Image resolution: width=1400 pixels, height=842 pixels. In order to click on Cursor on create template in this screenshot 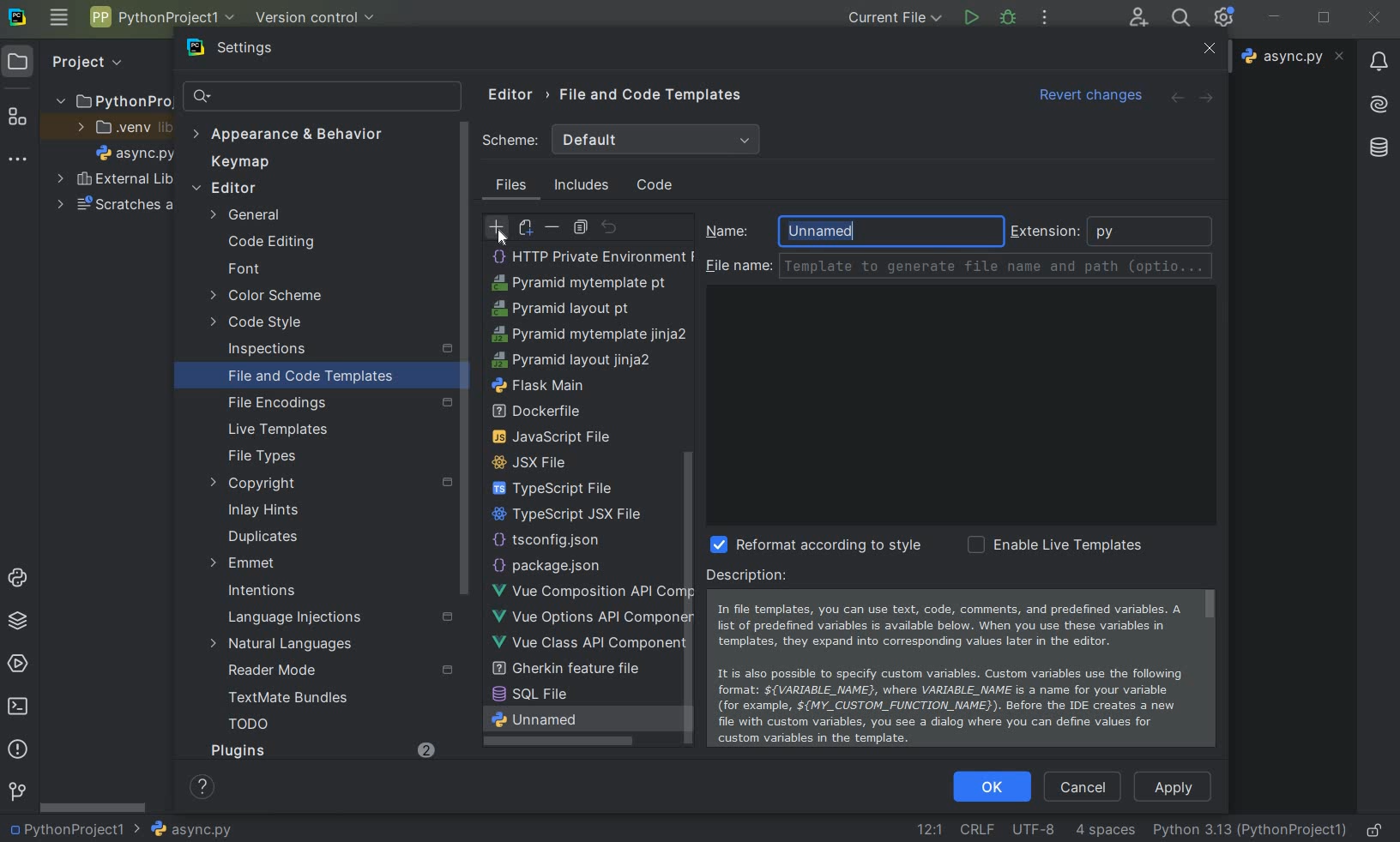, I will do `click(491, 231)`.